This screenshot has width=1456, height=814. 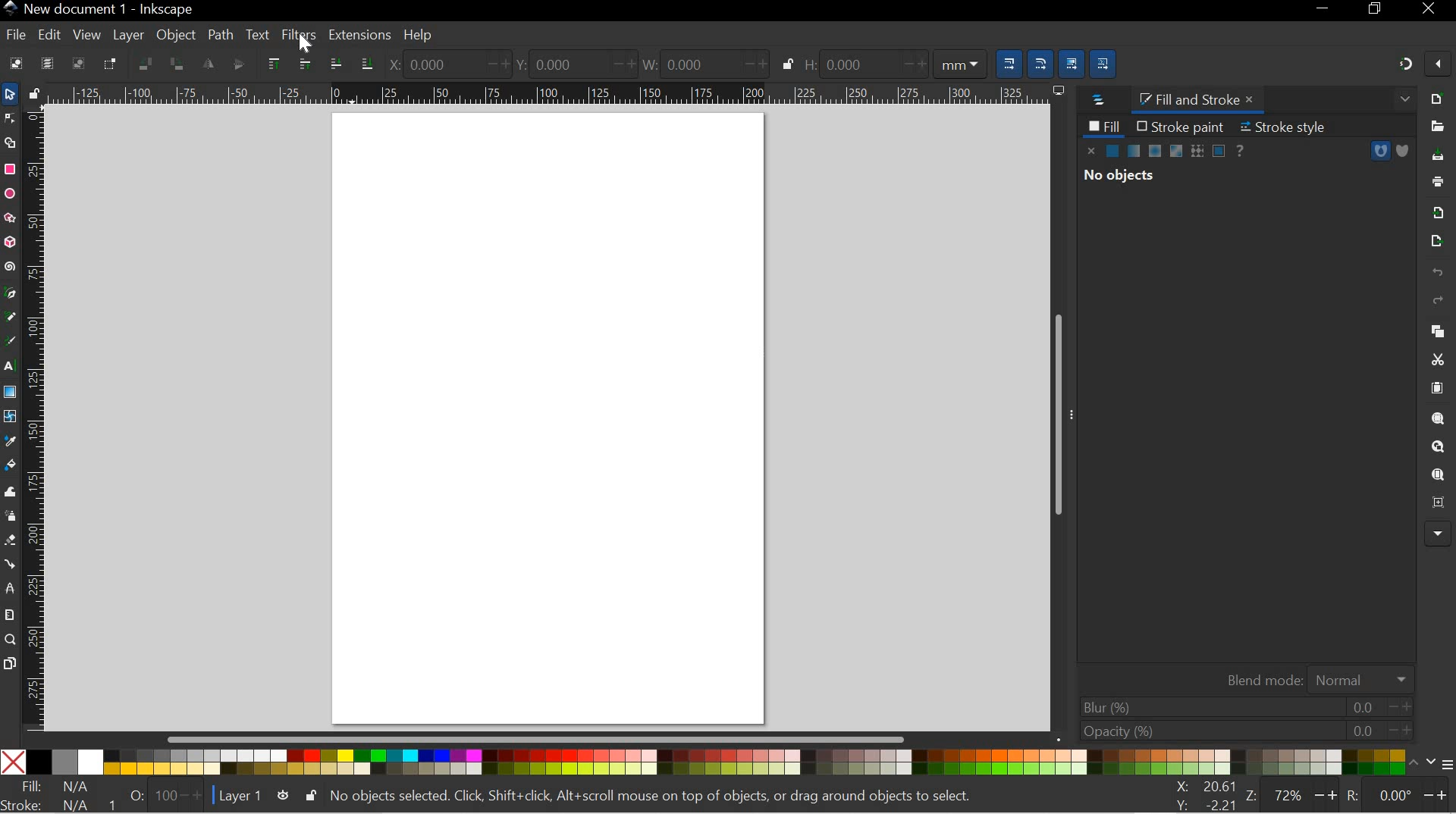 What do you see at coordinates (1323, 11) in the screenshot?
I see `MINIMIZE` at bounding box center [1323, 11].